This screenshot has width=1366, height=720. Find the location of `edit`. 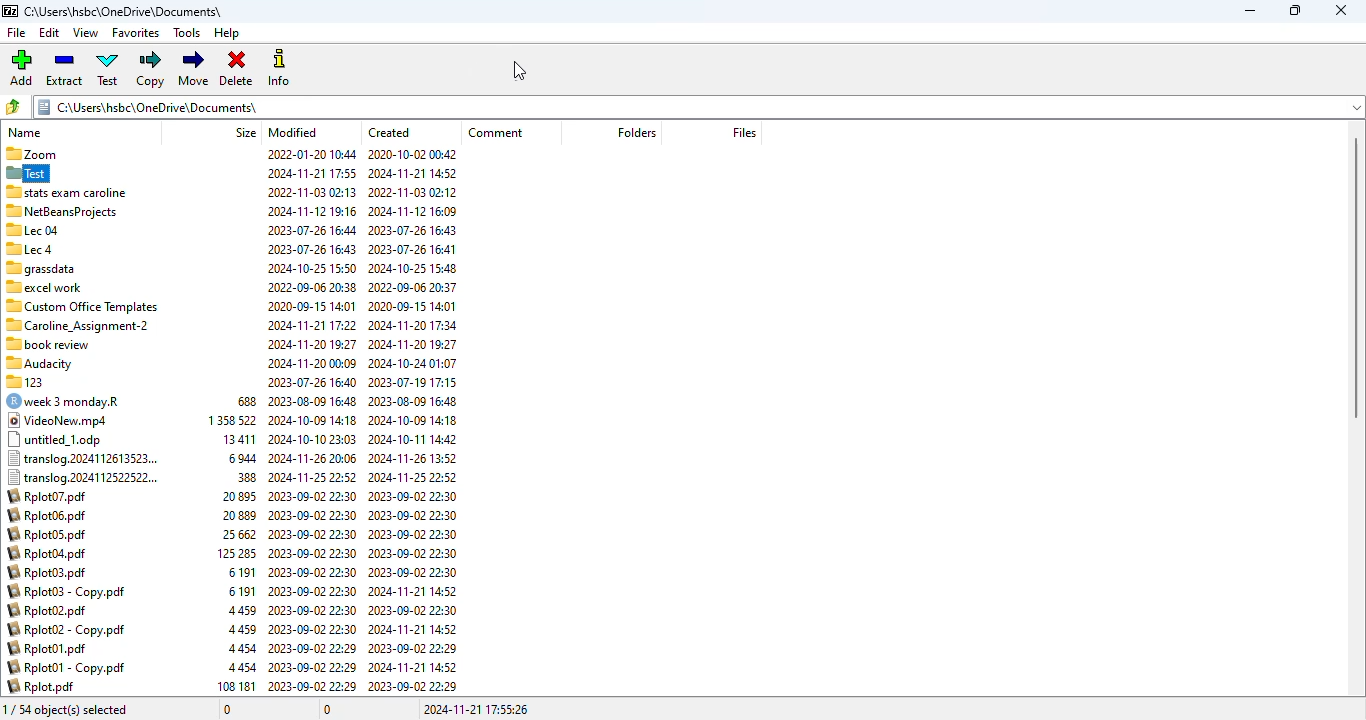

edit is located at coordinates (49, 32).